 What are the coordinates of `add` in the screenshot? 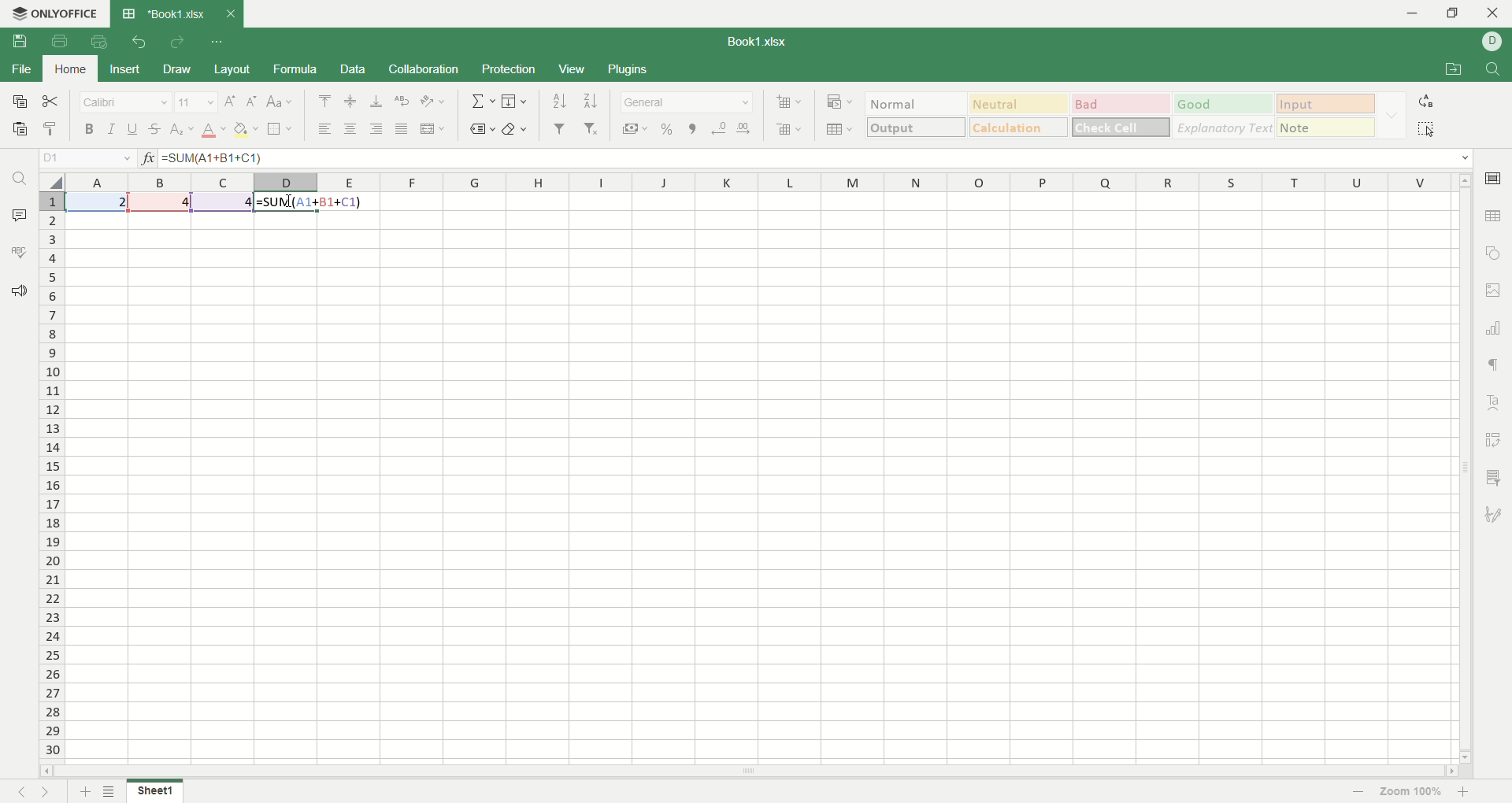 It's located at (82, 791).